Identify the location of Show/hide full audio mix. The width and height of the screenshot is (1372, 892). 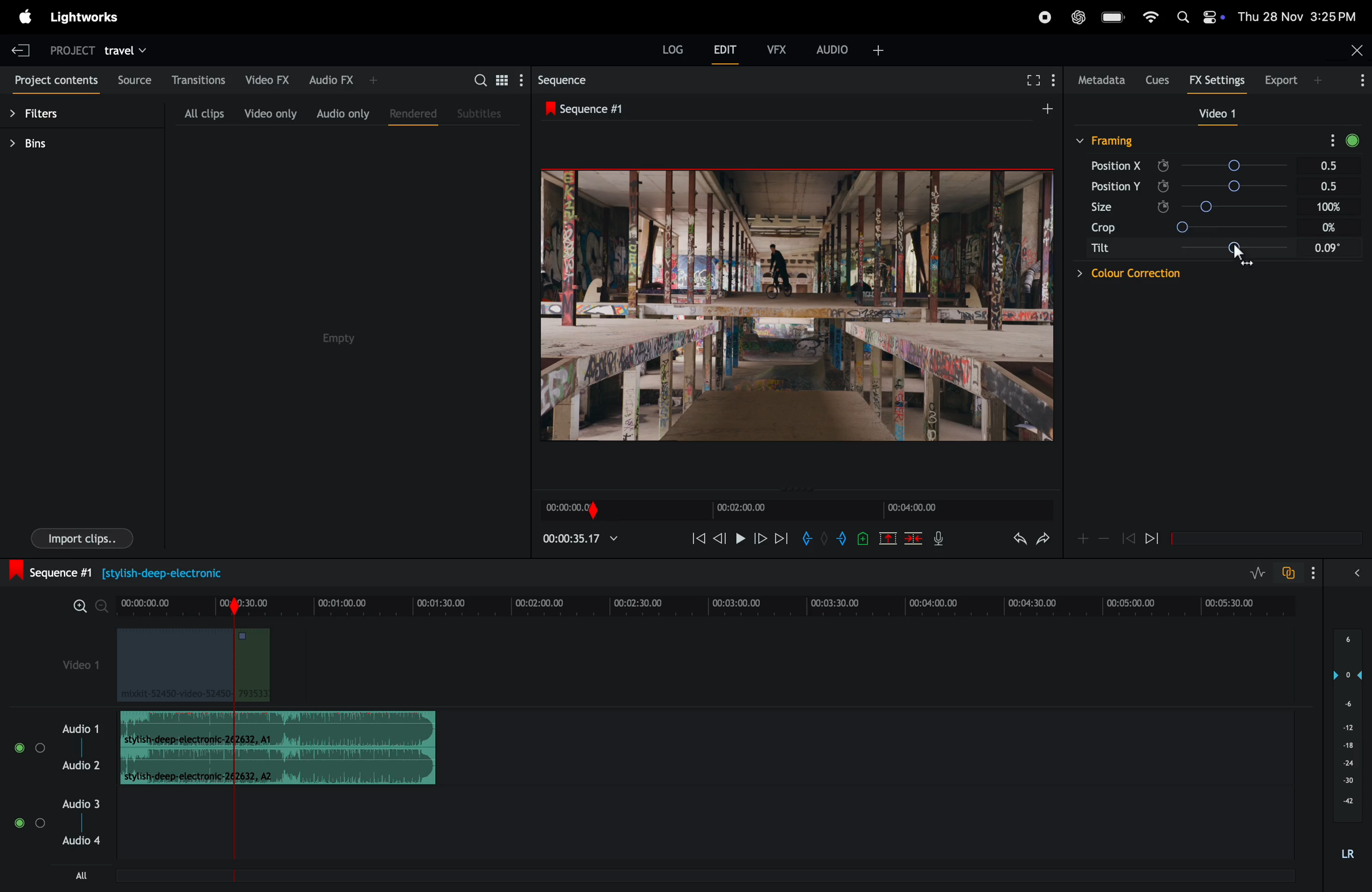
(1359, 575).